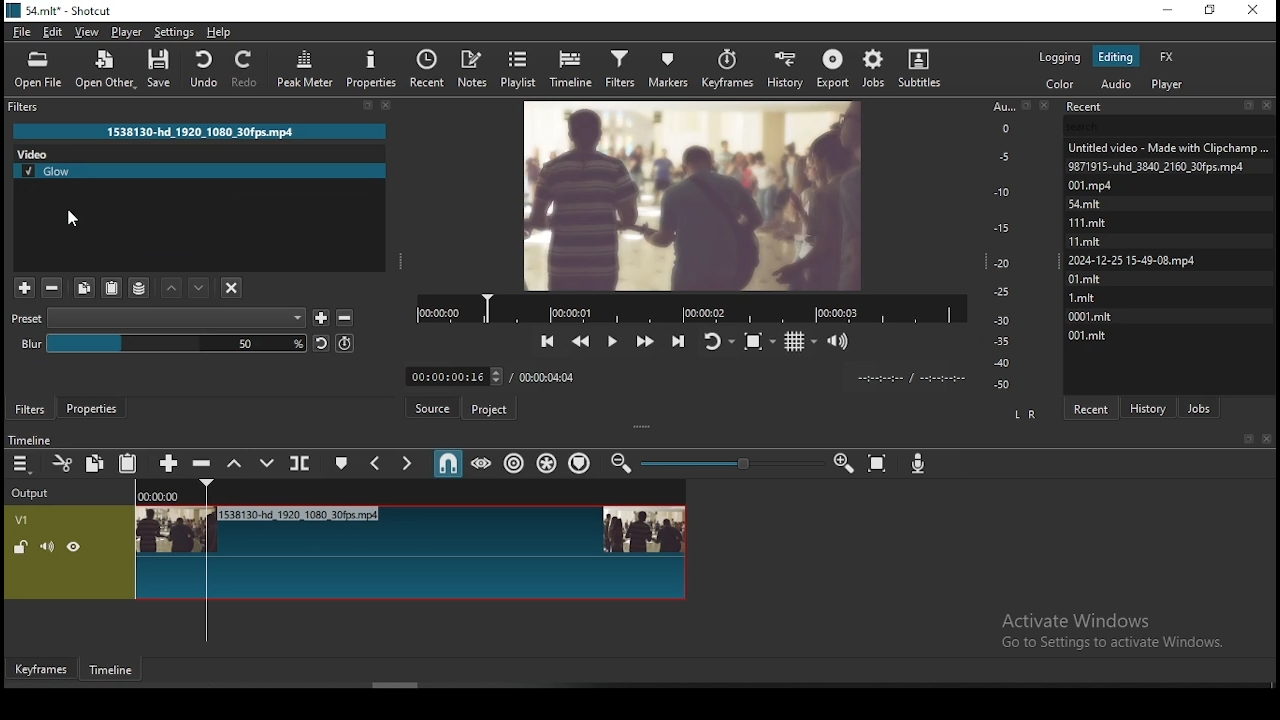 The height and width of the screenshot is (720, 1280). What do you see at coordinates (1270, 440) in the screenshot?
I see `close` at bounding box center [1270, 440].